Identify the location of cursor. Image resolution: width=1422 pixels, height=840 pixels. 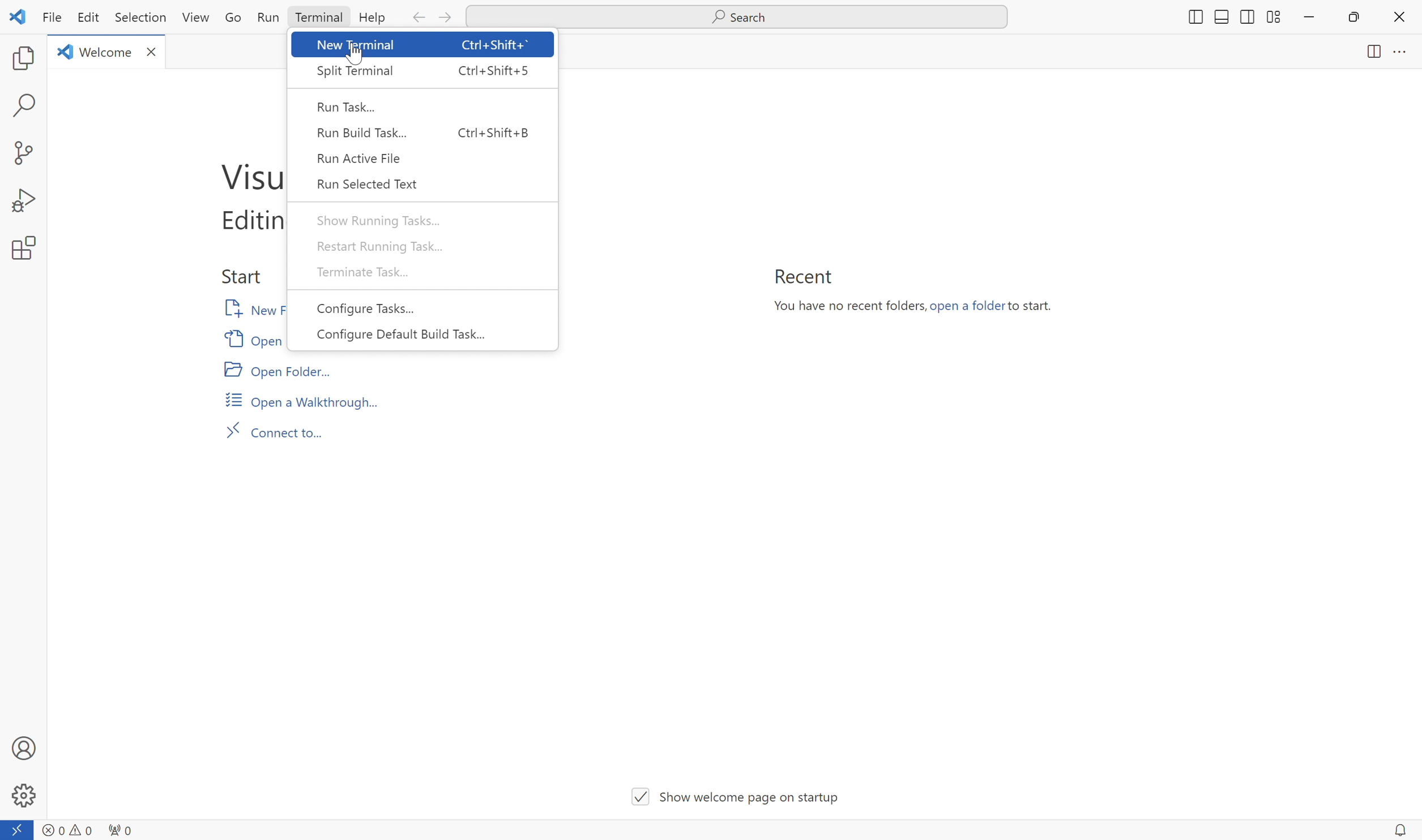
(357, 52).